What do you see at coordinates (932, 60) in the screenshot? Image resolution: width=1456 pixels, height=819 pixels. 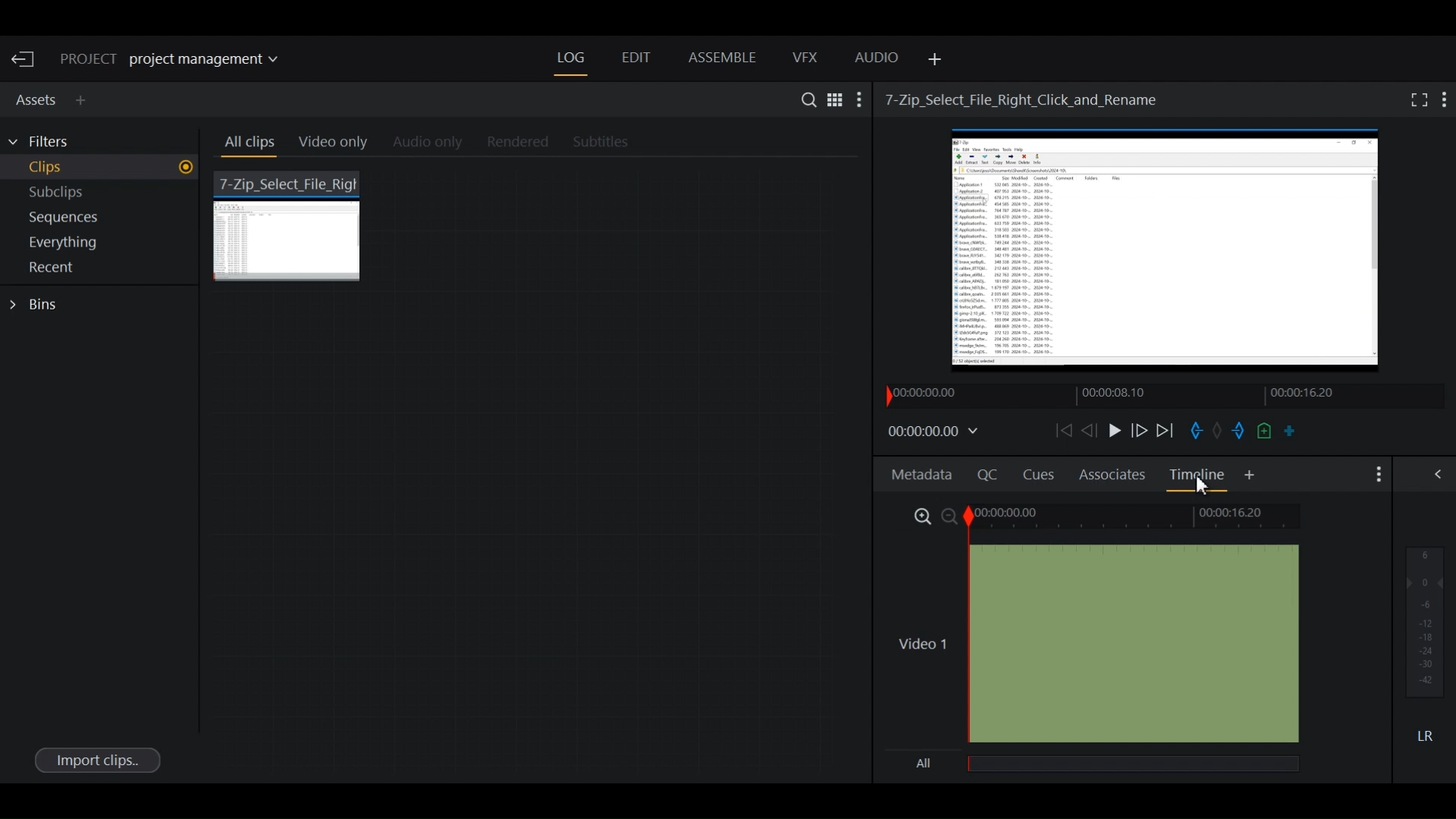 I see `Add Panel` at bounding box center [932, 60].